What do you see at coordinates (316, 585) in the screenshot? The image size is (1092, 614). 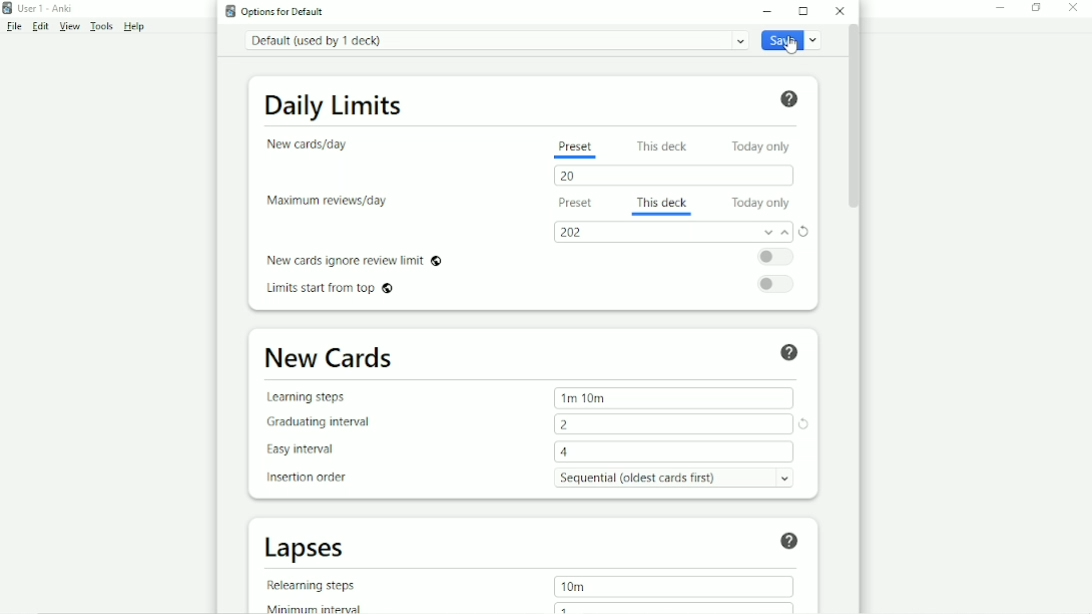 I see `Relearning steps` at bounding box center [316, 585].